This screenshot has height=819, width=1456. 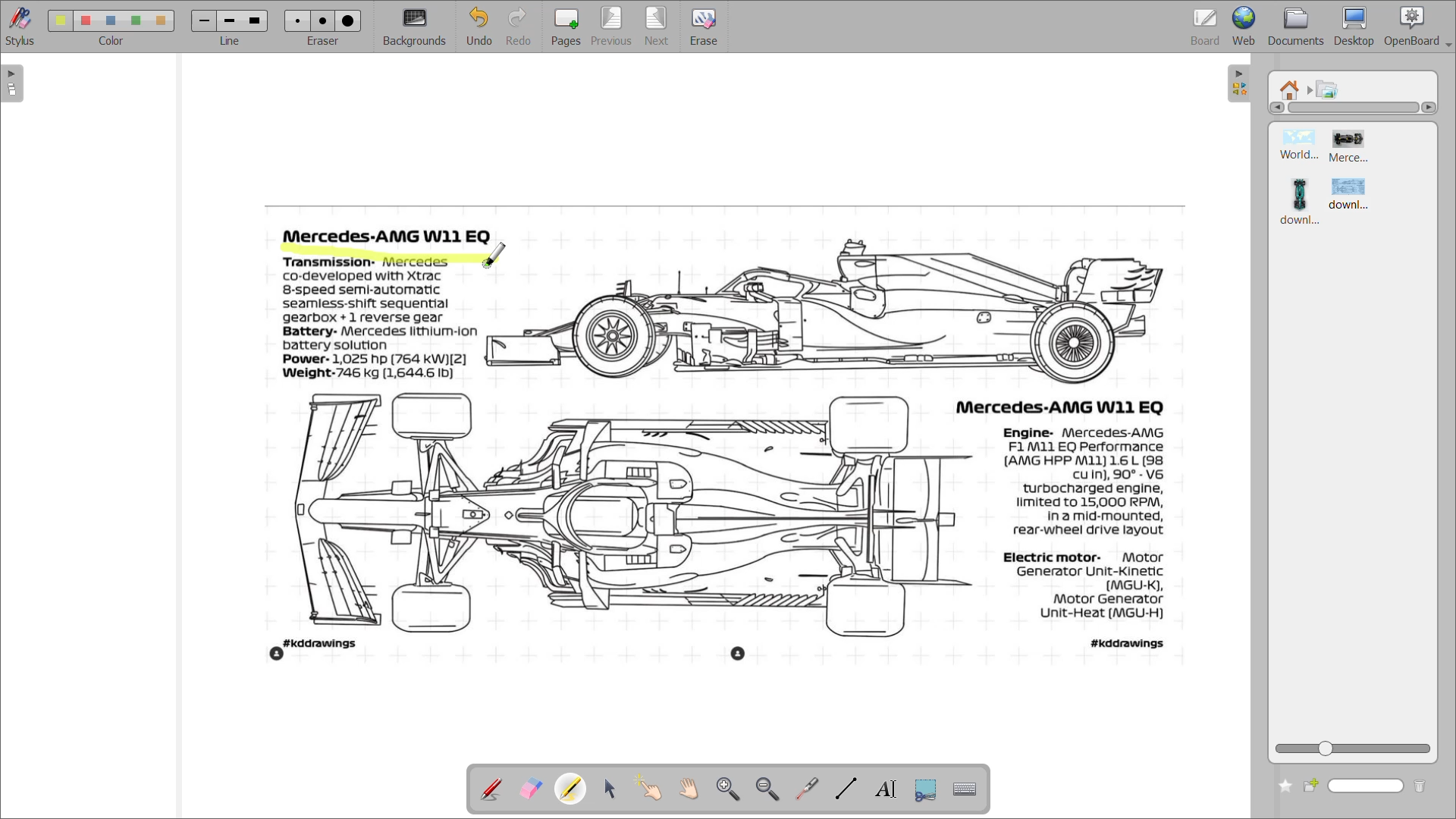 I want to click on zoom out, so click(x=767, y=789).